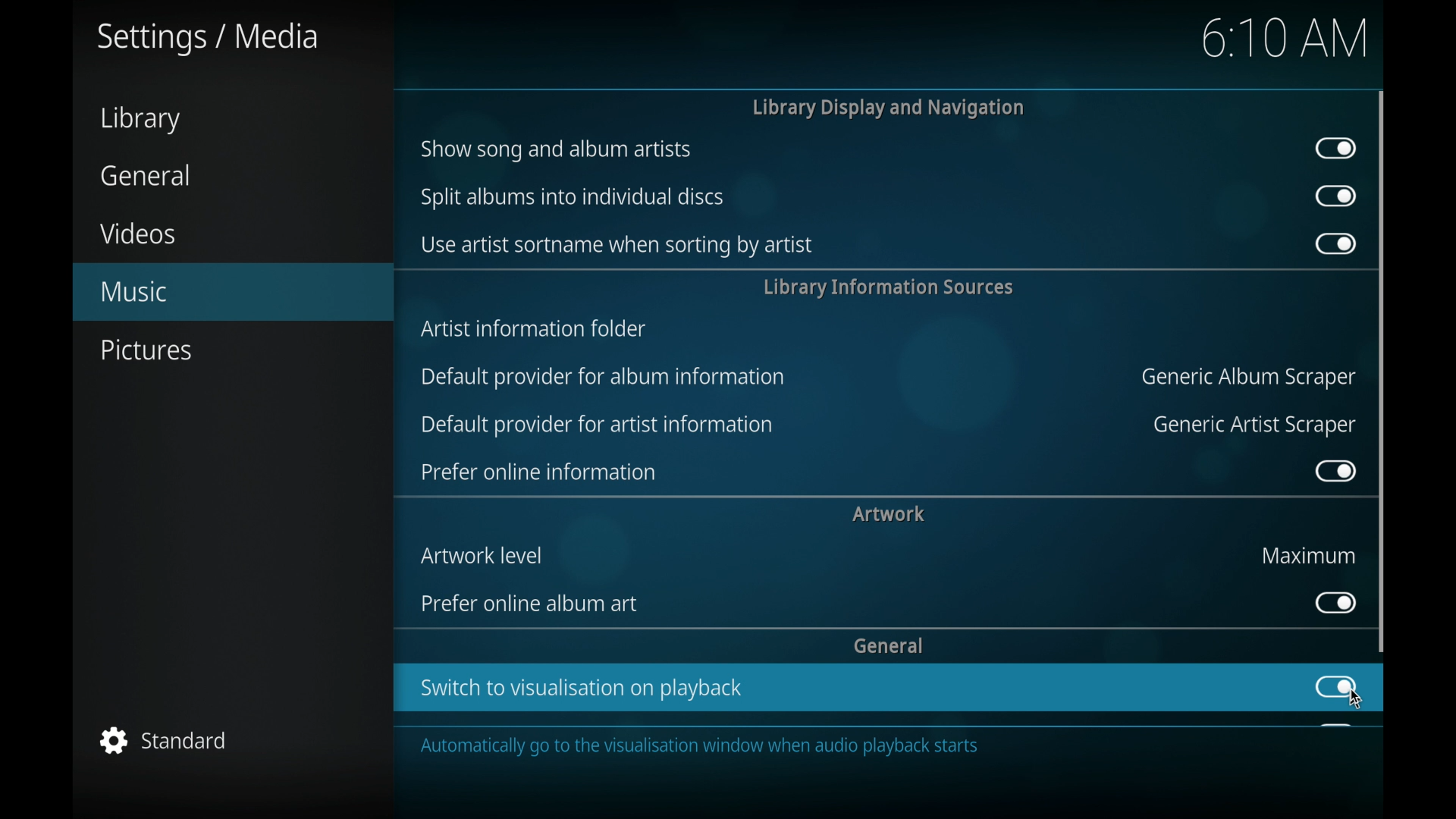  What do you see at coordinates (836, 746) in the screenshot?
I see `info` at bounding box center [836, 746].